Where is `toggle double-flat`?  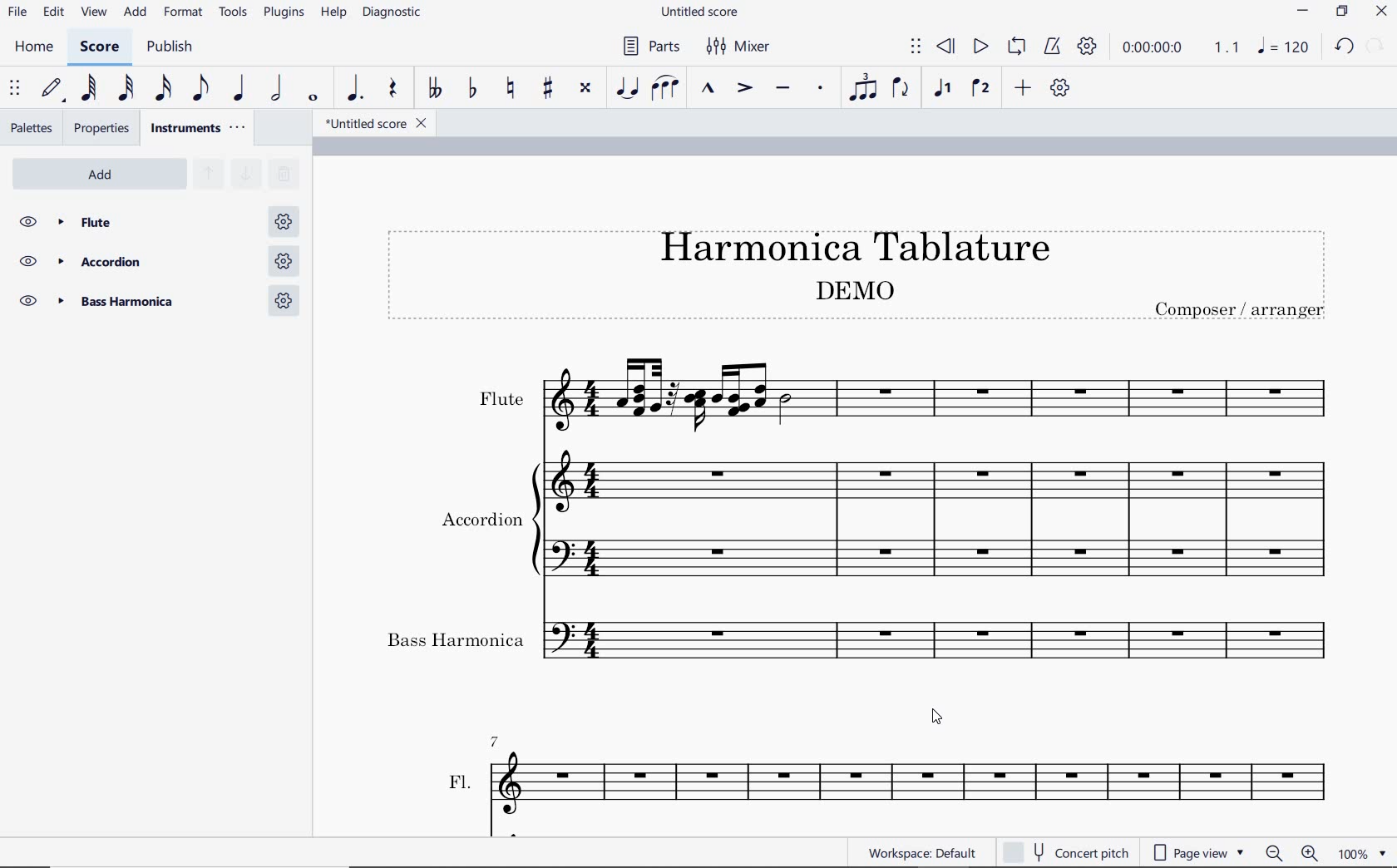 toggle double-flat is located at coordinates (433, 89).